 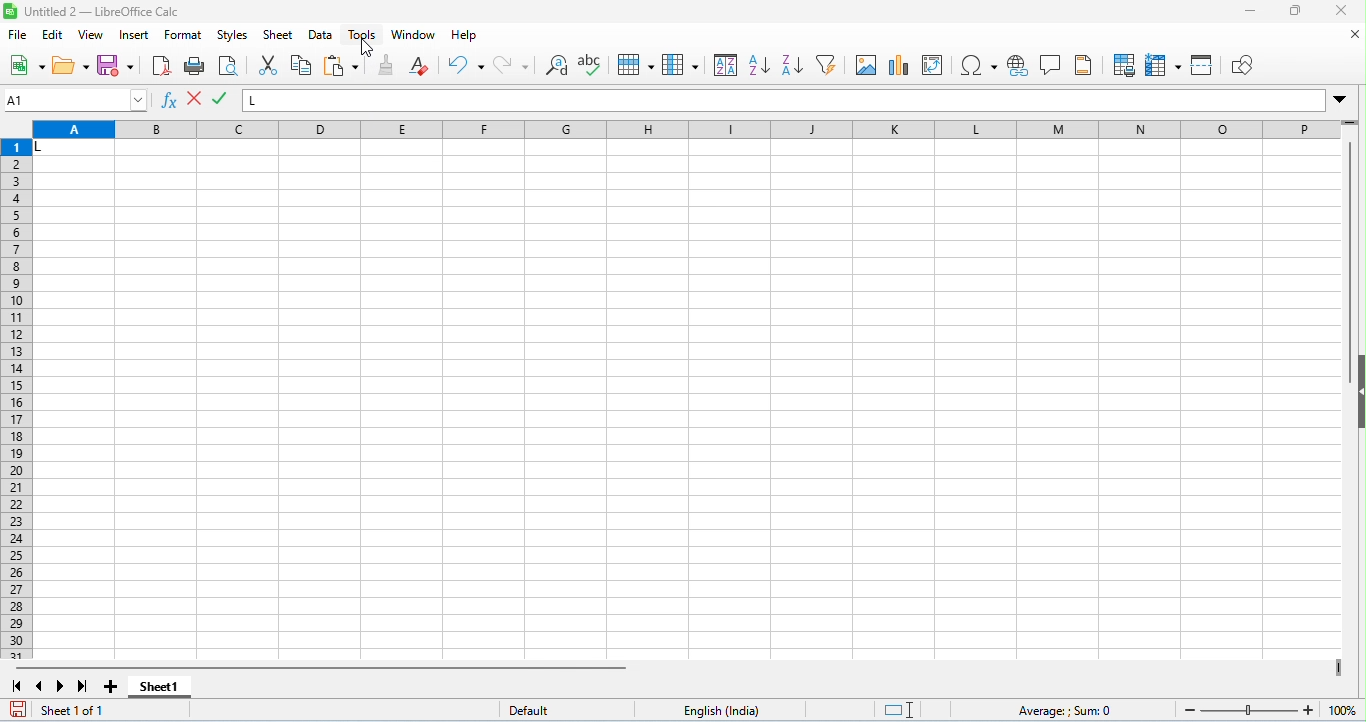 I want to click on print, so click(x=195, y=67).